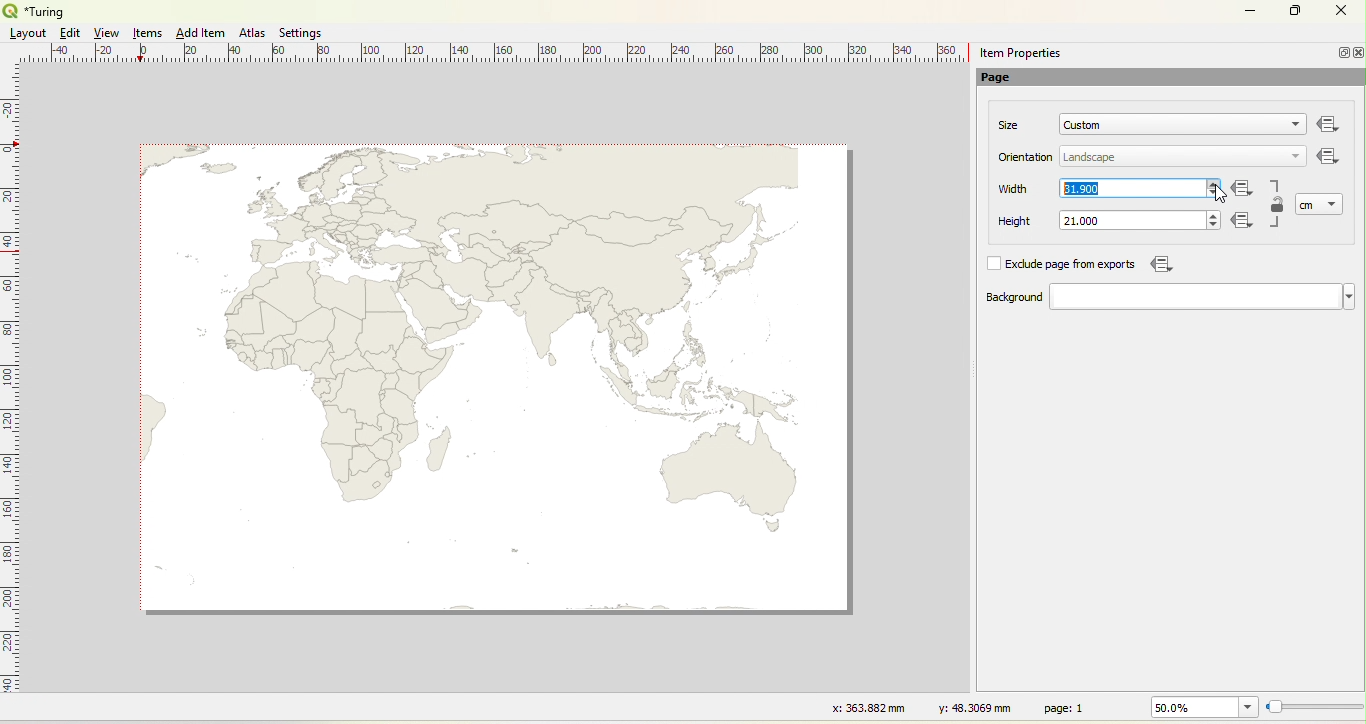 This screenshot has width=1366, height=724. What do you see at coordinates (1340, 13) in the screenshot?
I see `Close` at bounding box center [1340, 13].